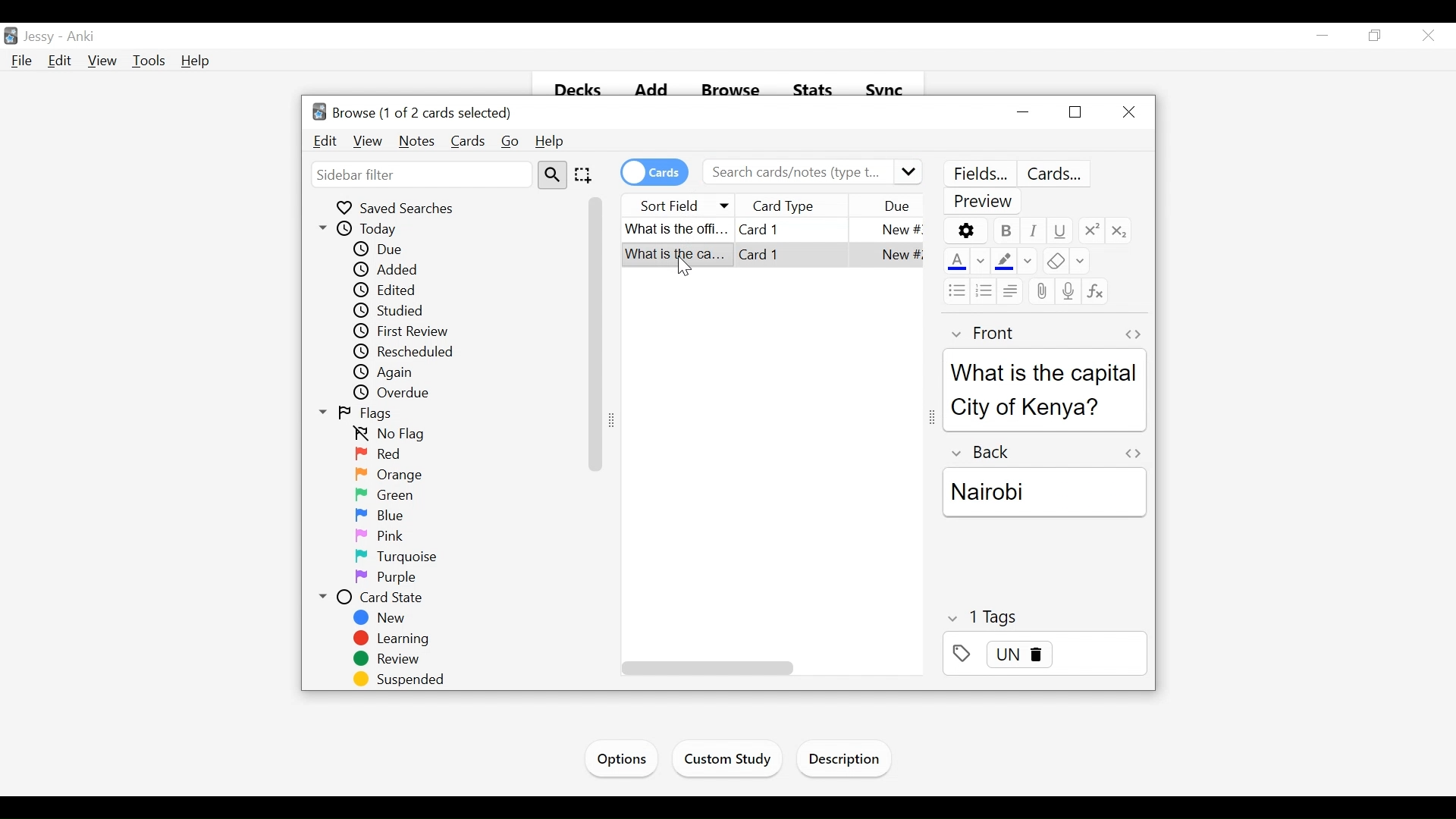 The width and height of the screenshot is (1456, 819). Describe the element at coordinates (736, 759) in the screenshot. I see `Create Deck` at that location.